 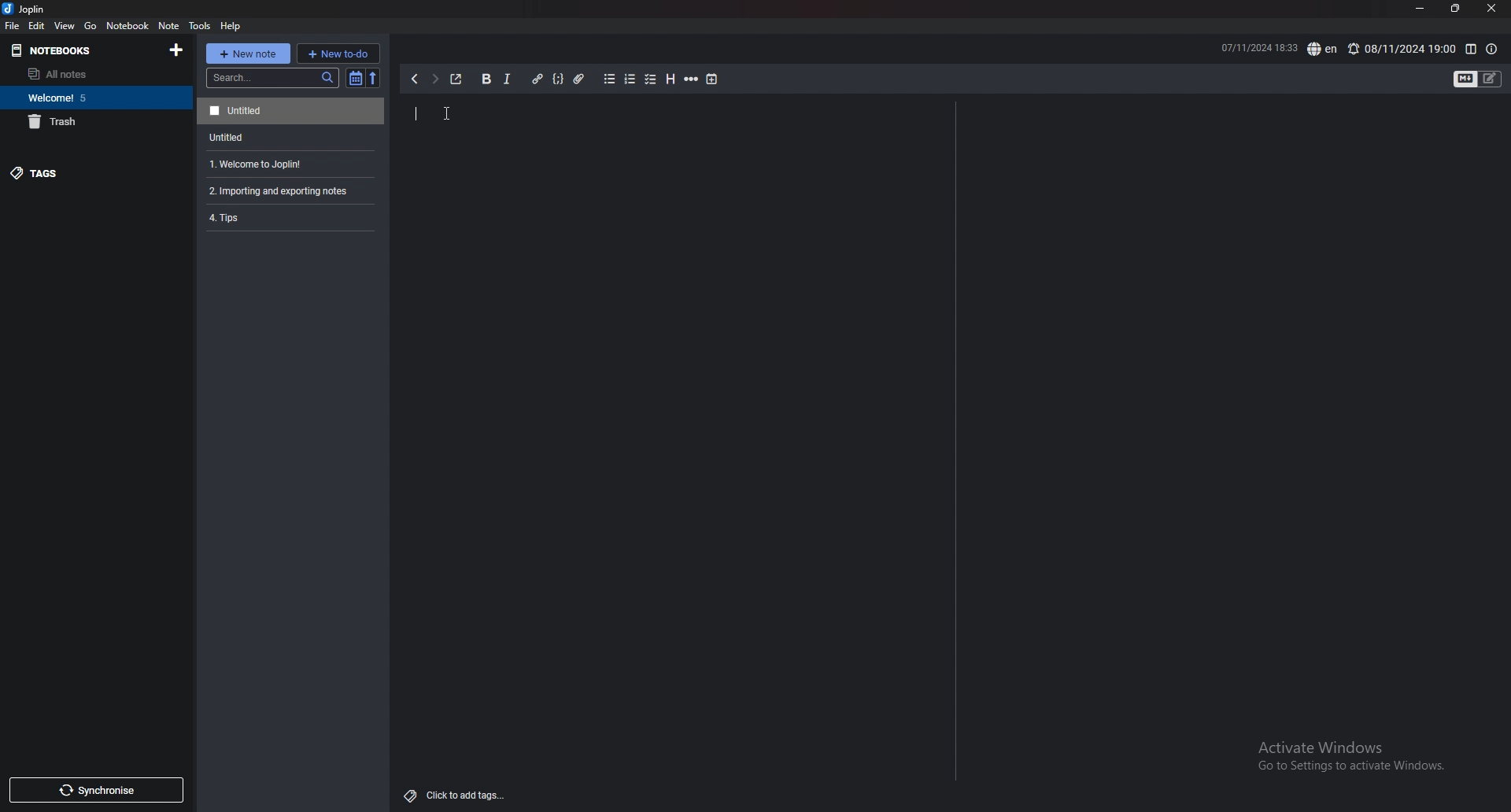 I want to click on toggle external editor, so click(x=456, y=79).